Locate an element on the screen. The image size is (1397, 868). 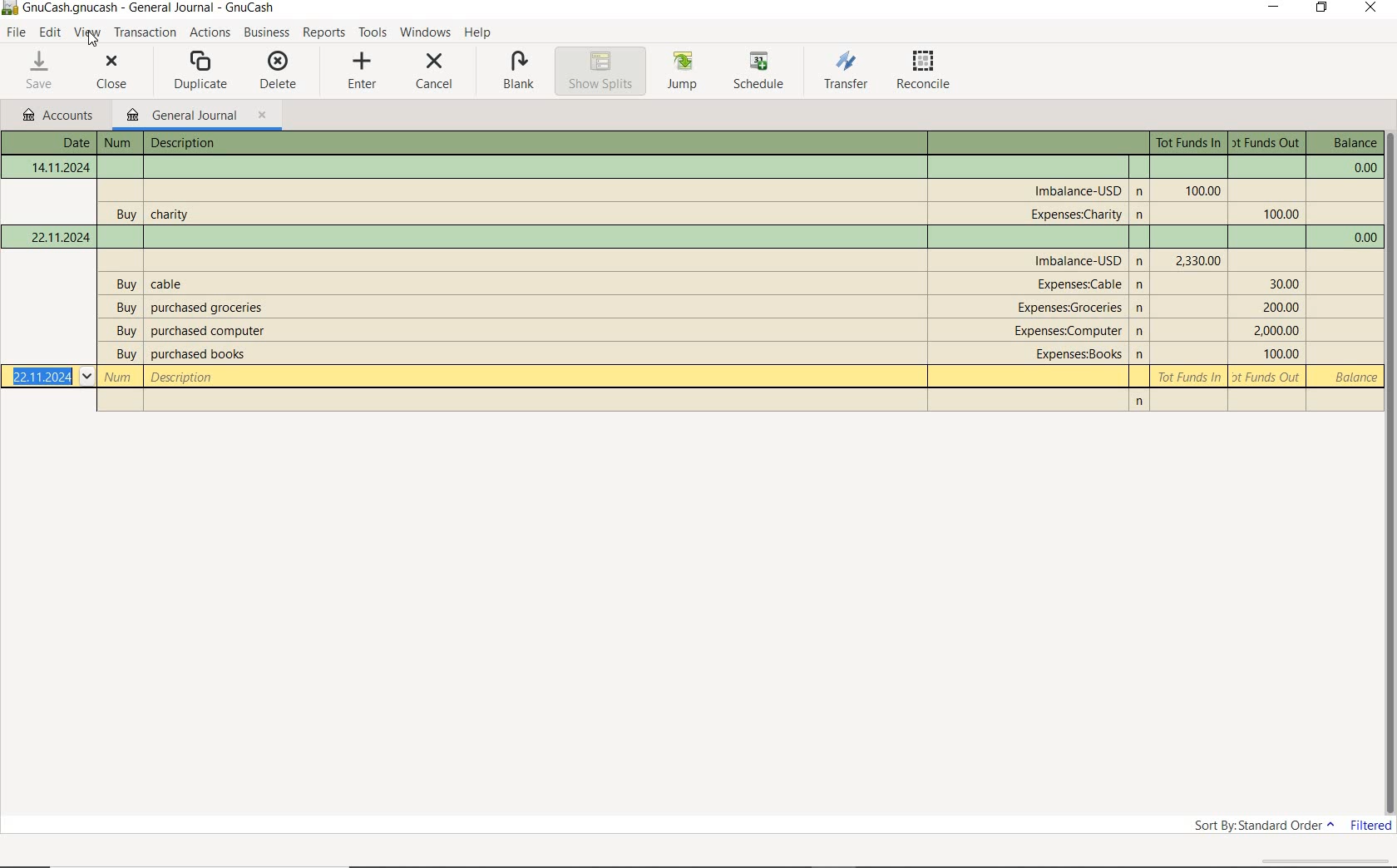
Date is located at coordinates (42, 377).